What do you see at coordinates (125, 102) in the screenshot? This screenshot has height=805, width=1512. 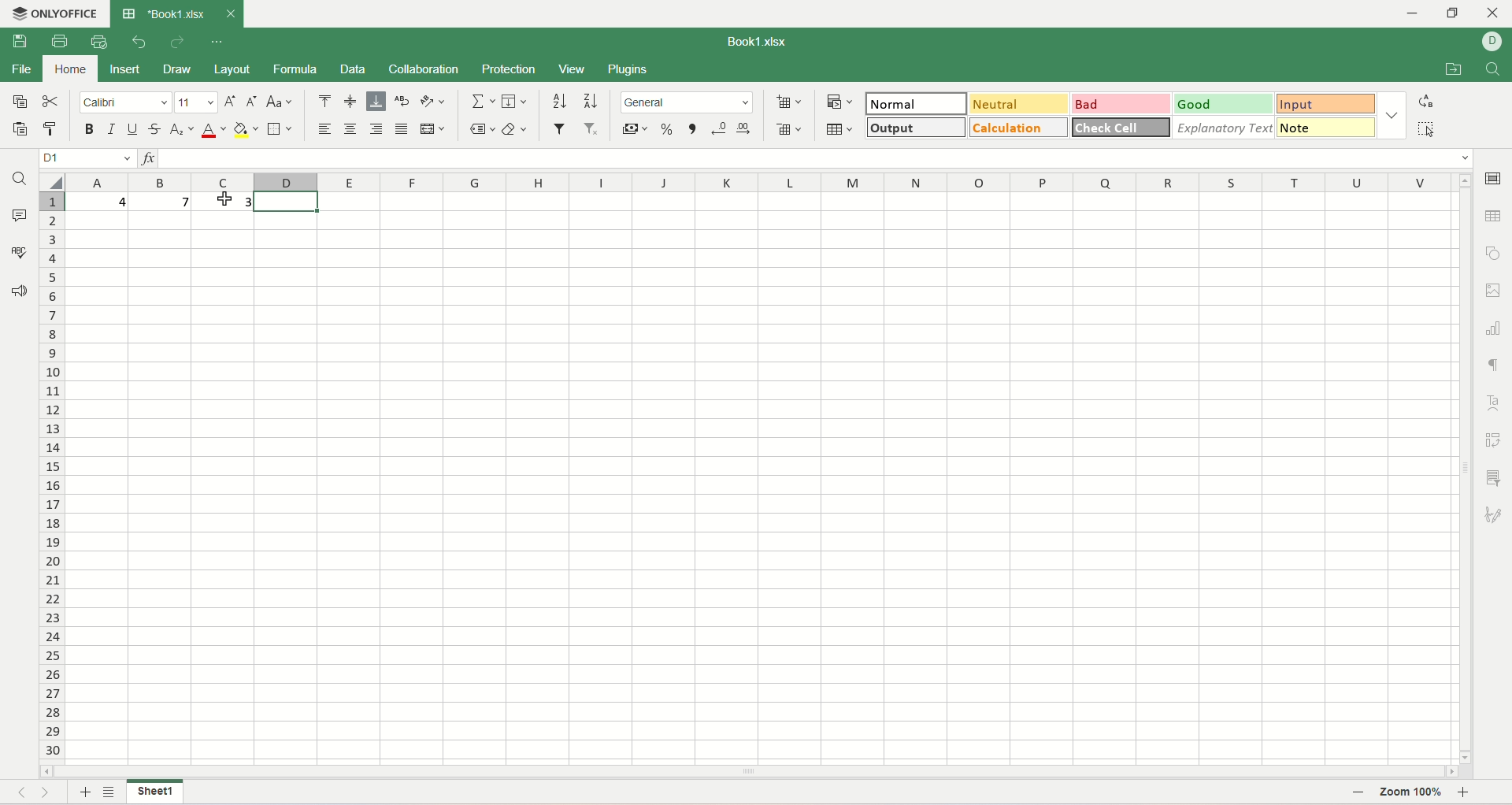 I see `calibri` at bounding box center [125, 102].